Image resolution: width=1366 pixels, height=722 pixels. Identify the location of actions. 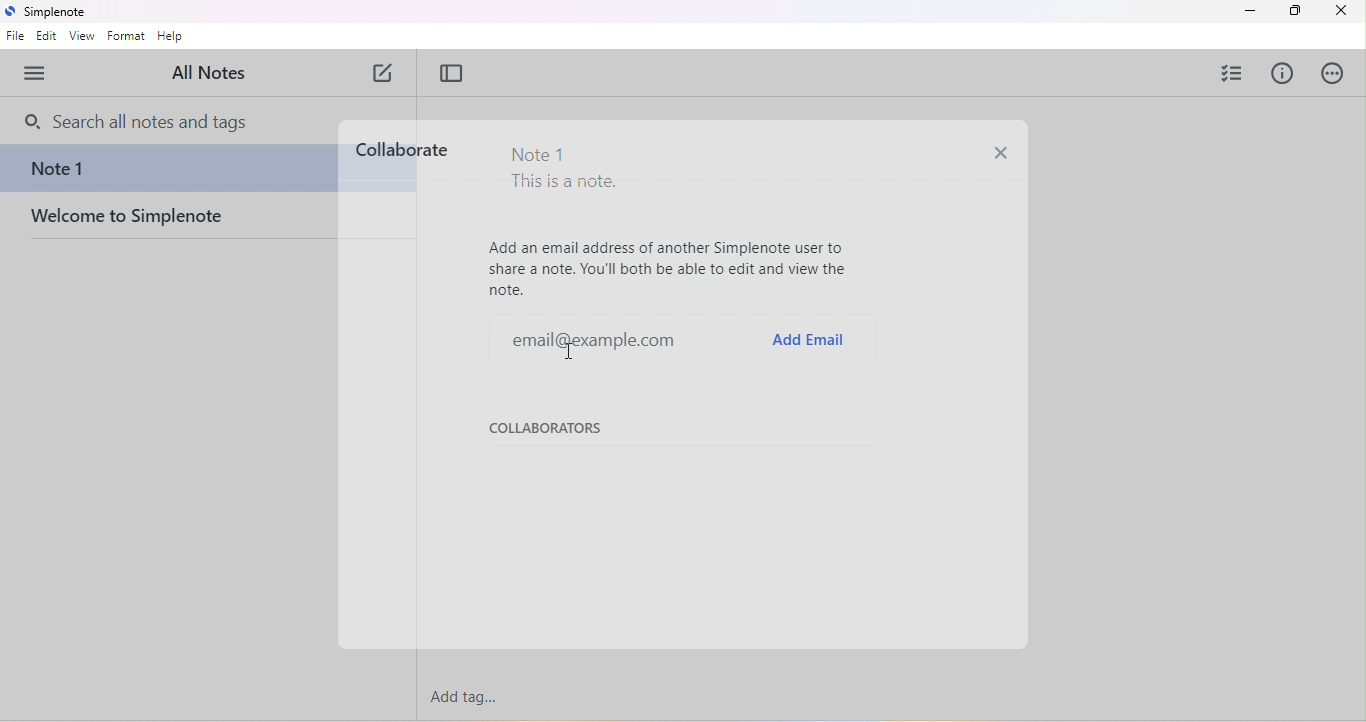
(1332, 73).